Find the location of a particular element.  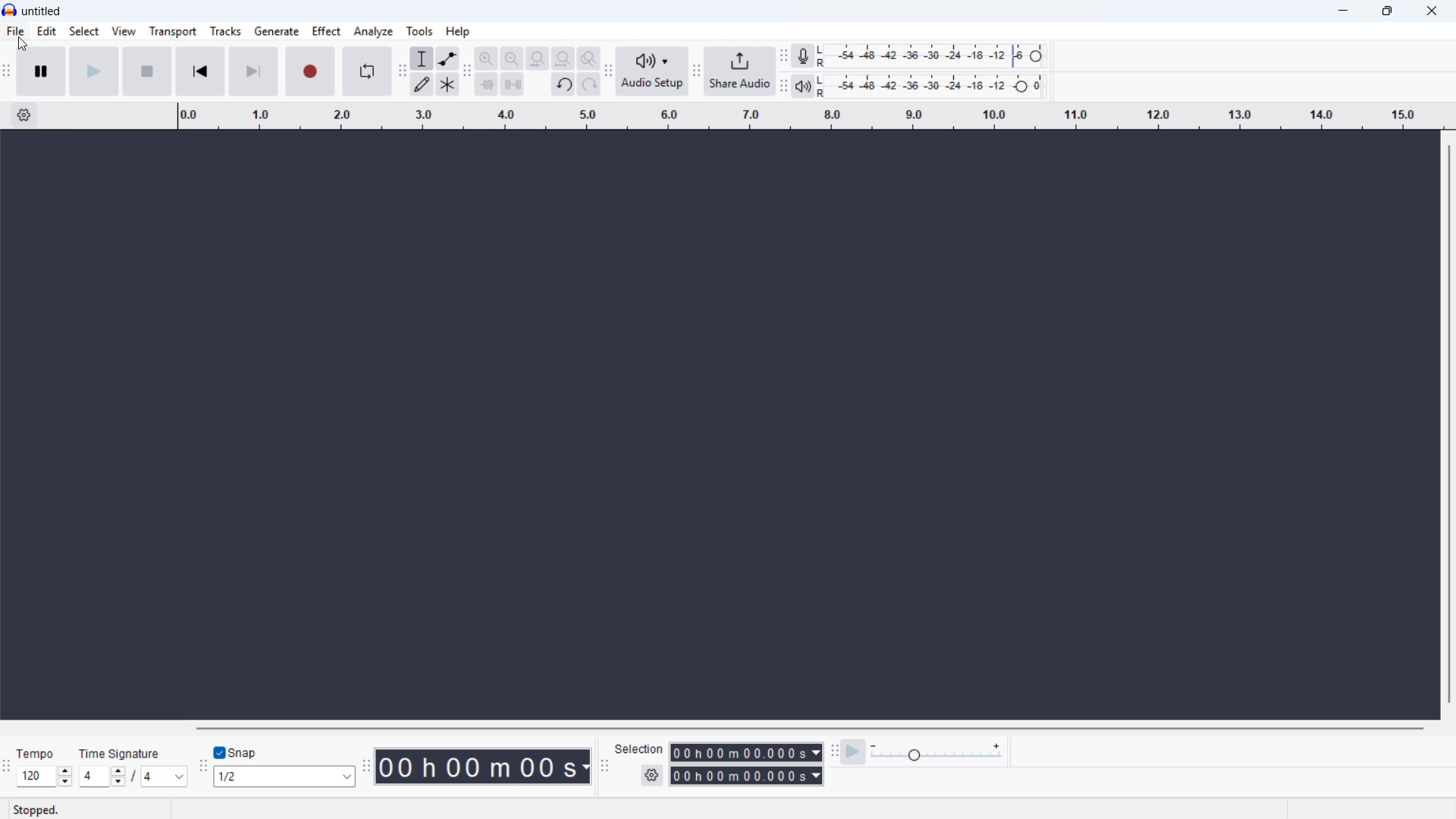

stop  is located at coordinates (147, 72).